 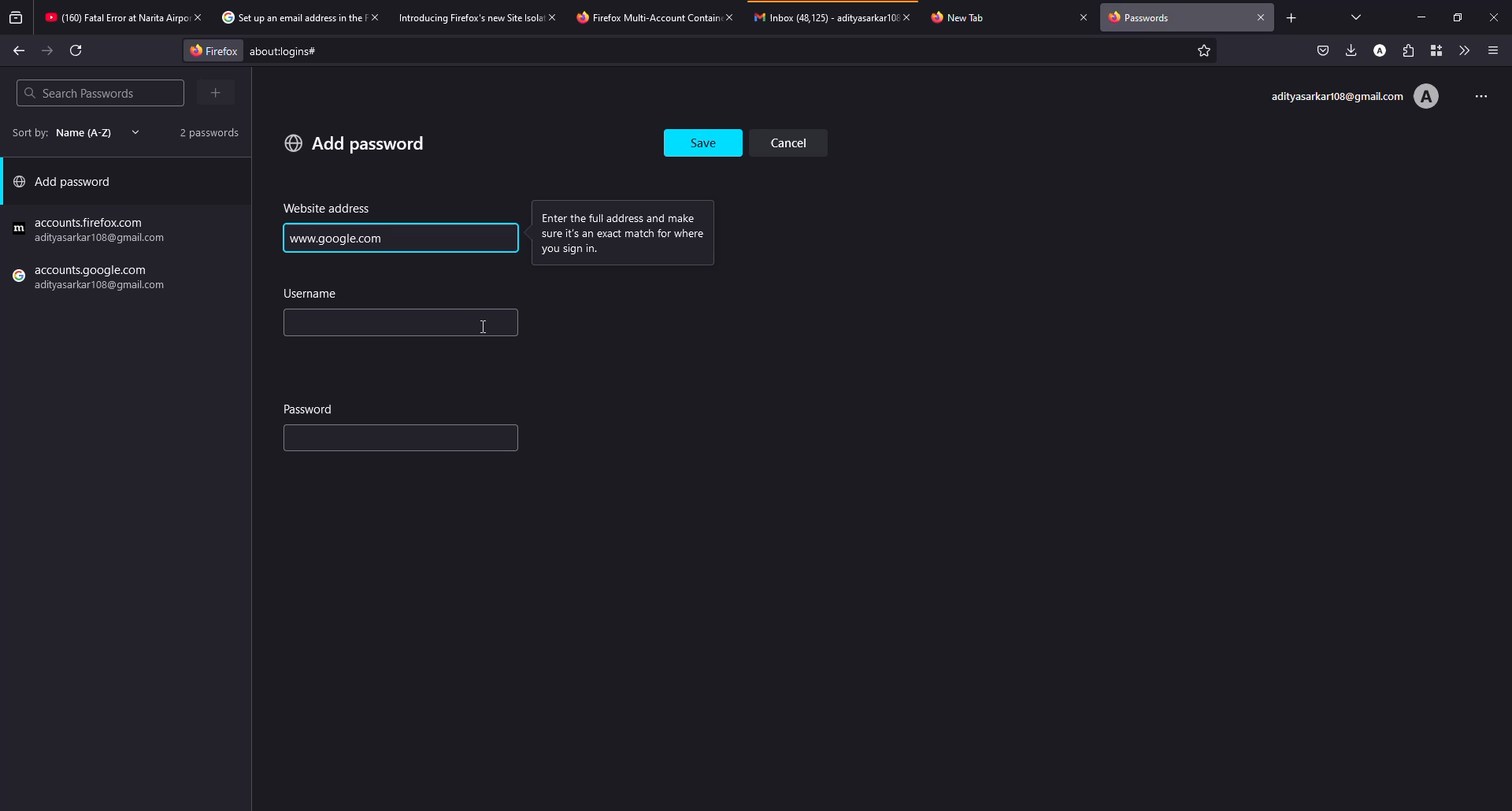 I want to click on save, so click(x=705, y=139).